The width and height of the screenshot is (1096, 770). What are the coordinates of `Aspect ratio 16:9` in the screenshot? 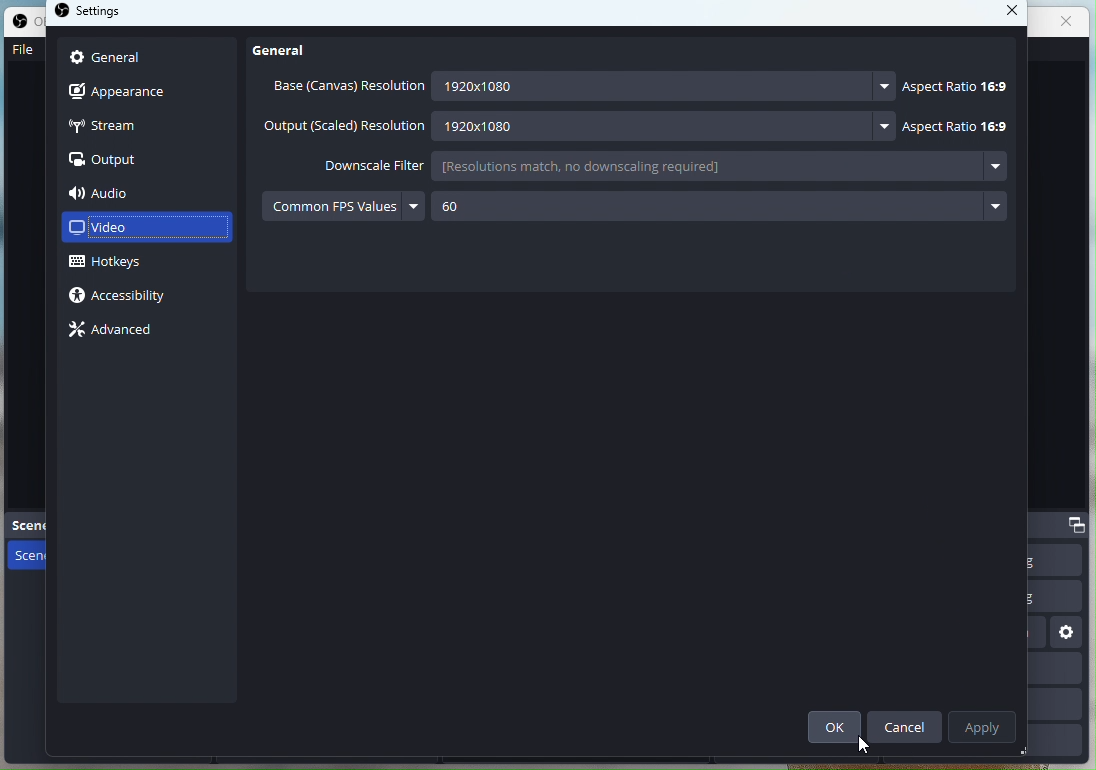 It's located at (958, 85).